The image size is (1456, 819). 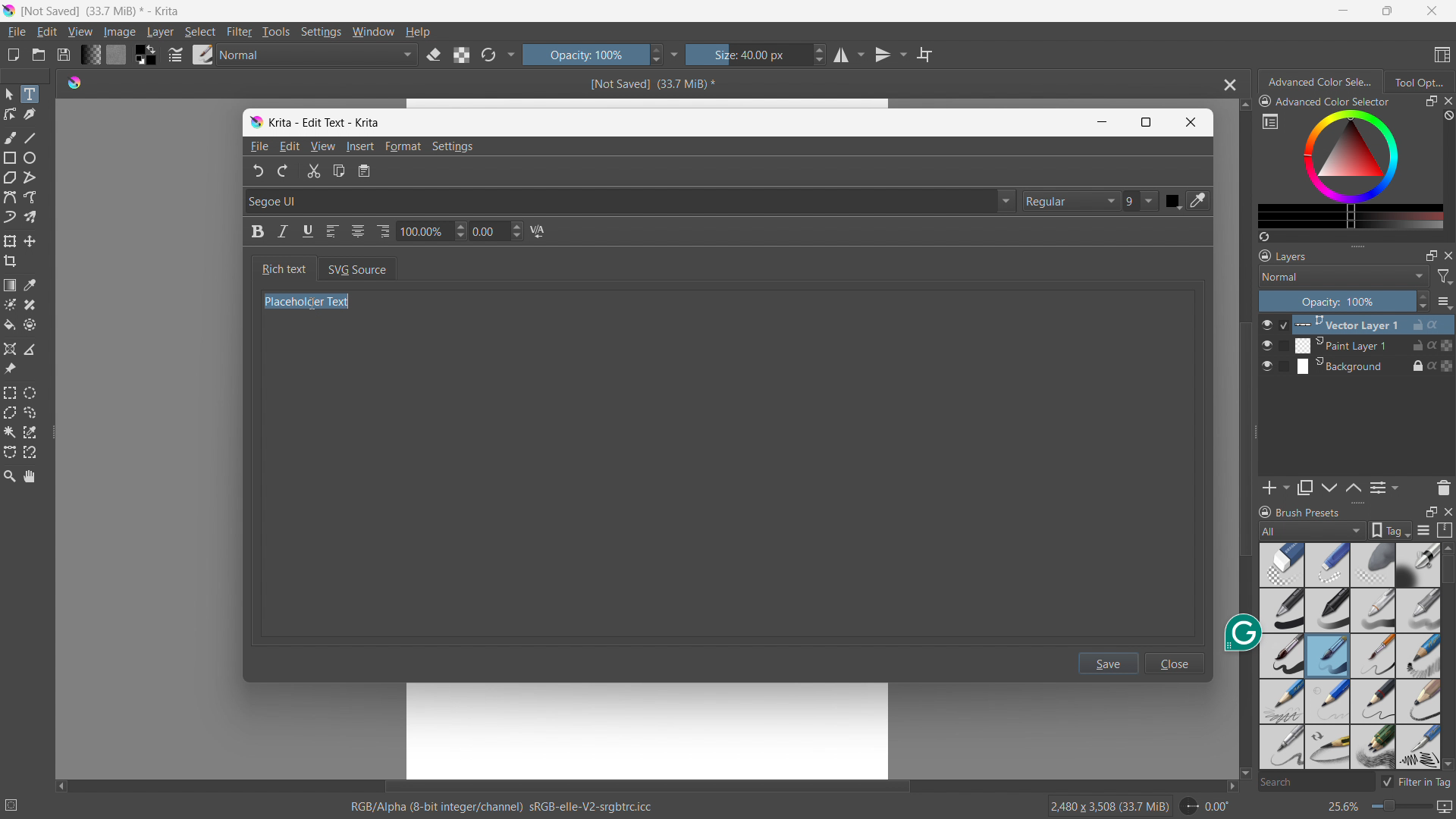 I want to click on close, so click(x=1176, y=663).